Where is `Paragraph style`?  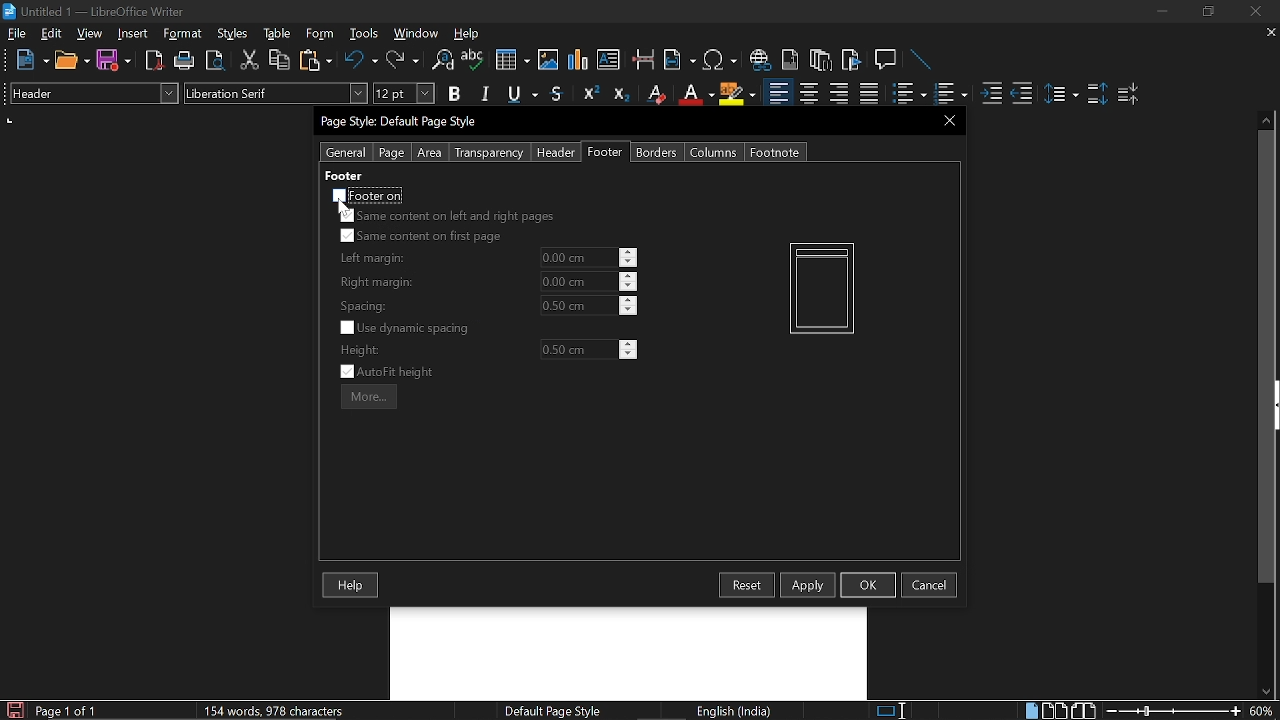
Paragraph style is located at coordinates (91, 93).